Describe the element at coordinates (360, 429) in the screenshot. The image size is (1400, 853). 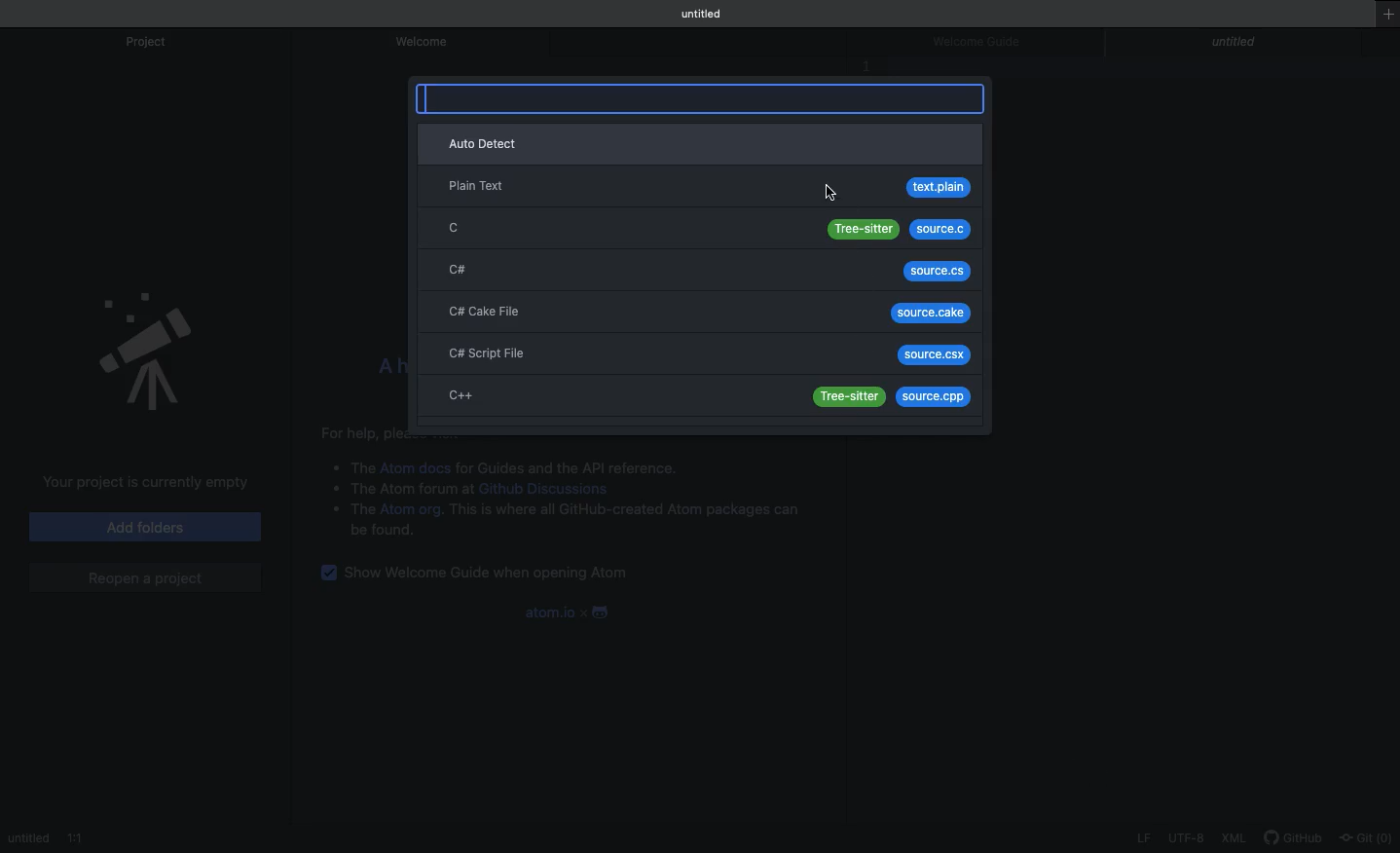
I see `Instructional text` at that location.